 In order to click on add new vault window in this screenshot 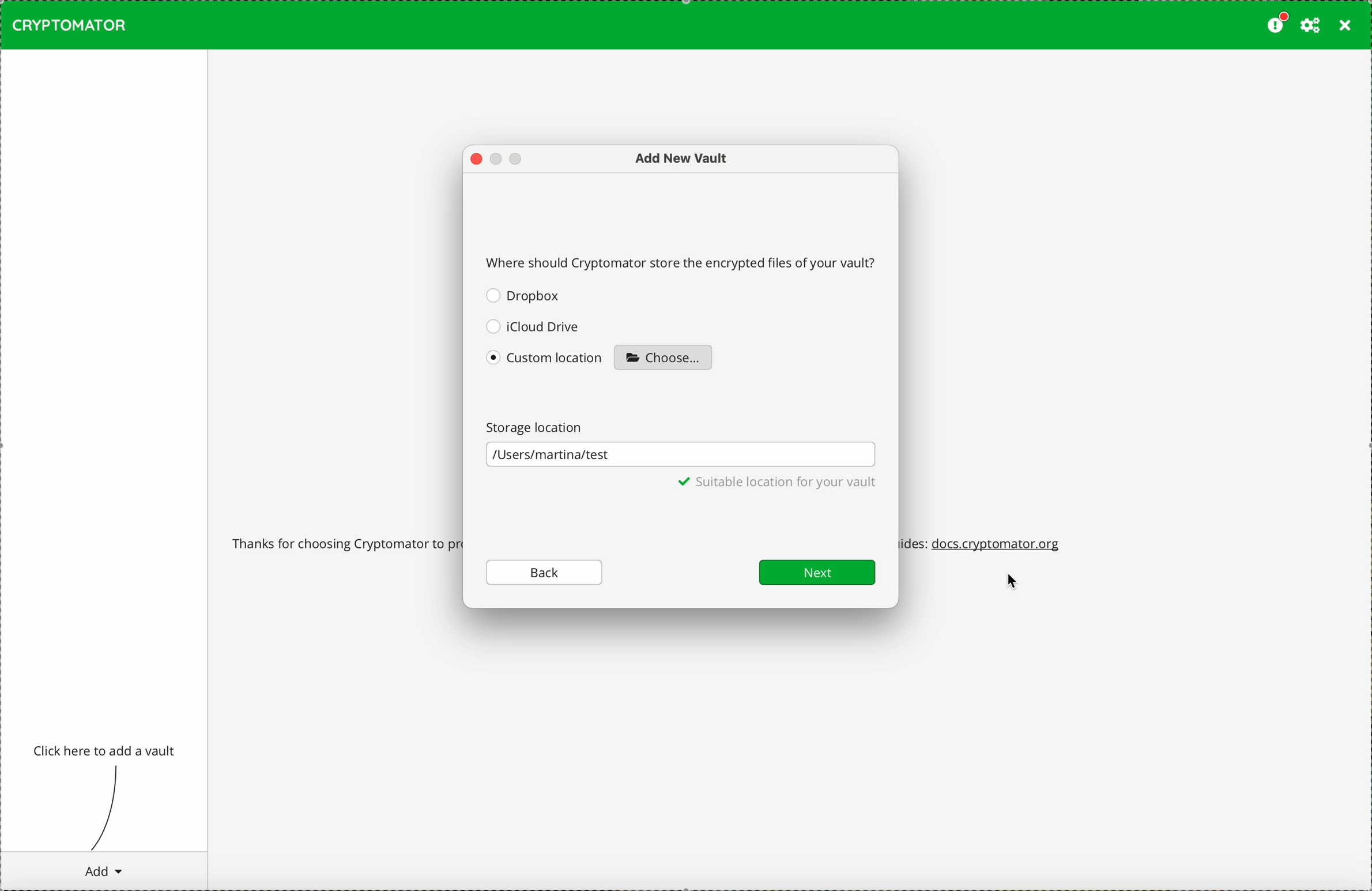, I will do `click(674, 159)`.